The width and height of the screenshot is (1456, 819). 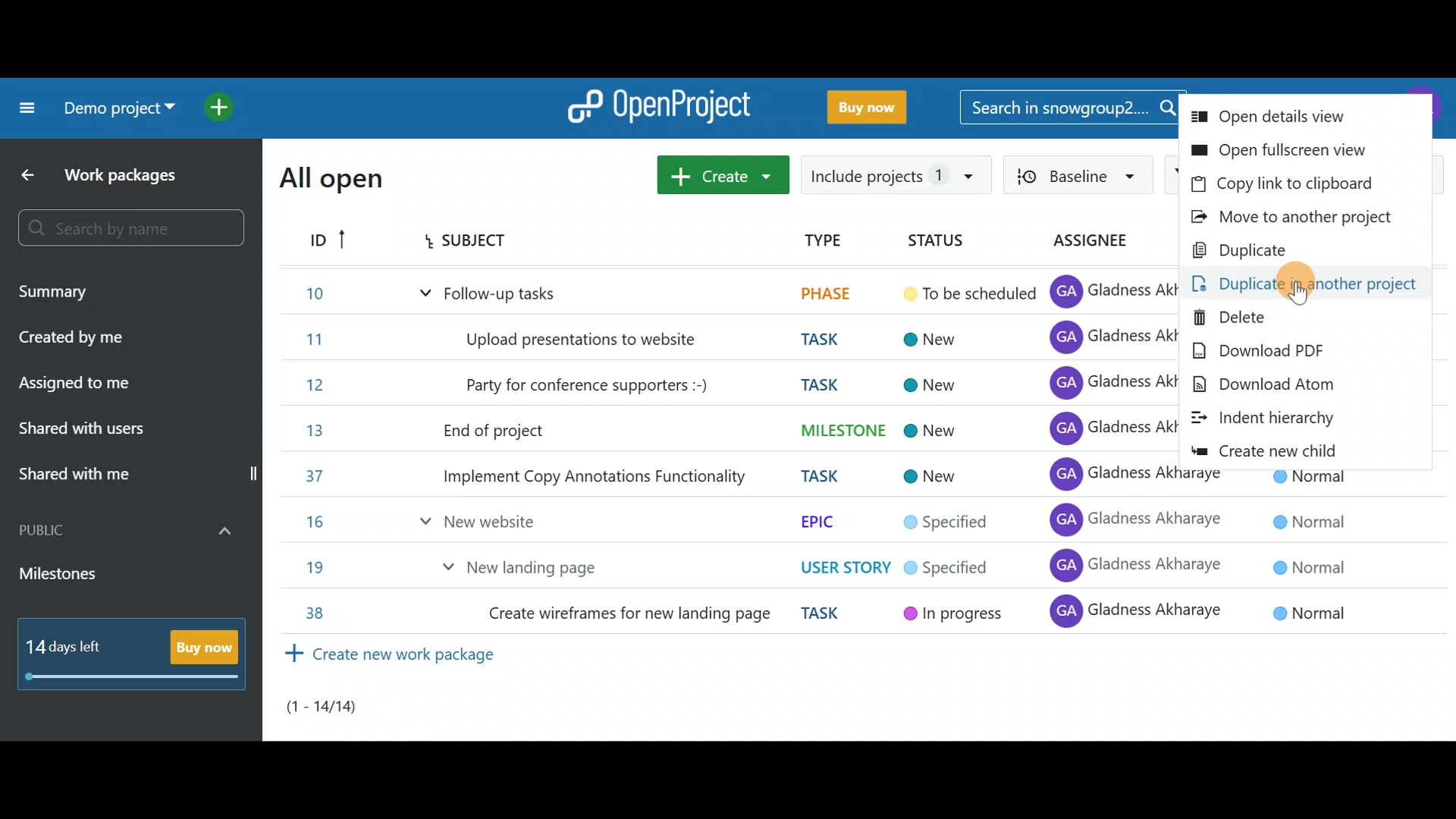 I want to click on PHASE, so click(x=822, y=293).